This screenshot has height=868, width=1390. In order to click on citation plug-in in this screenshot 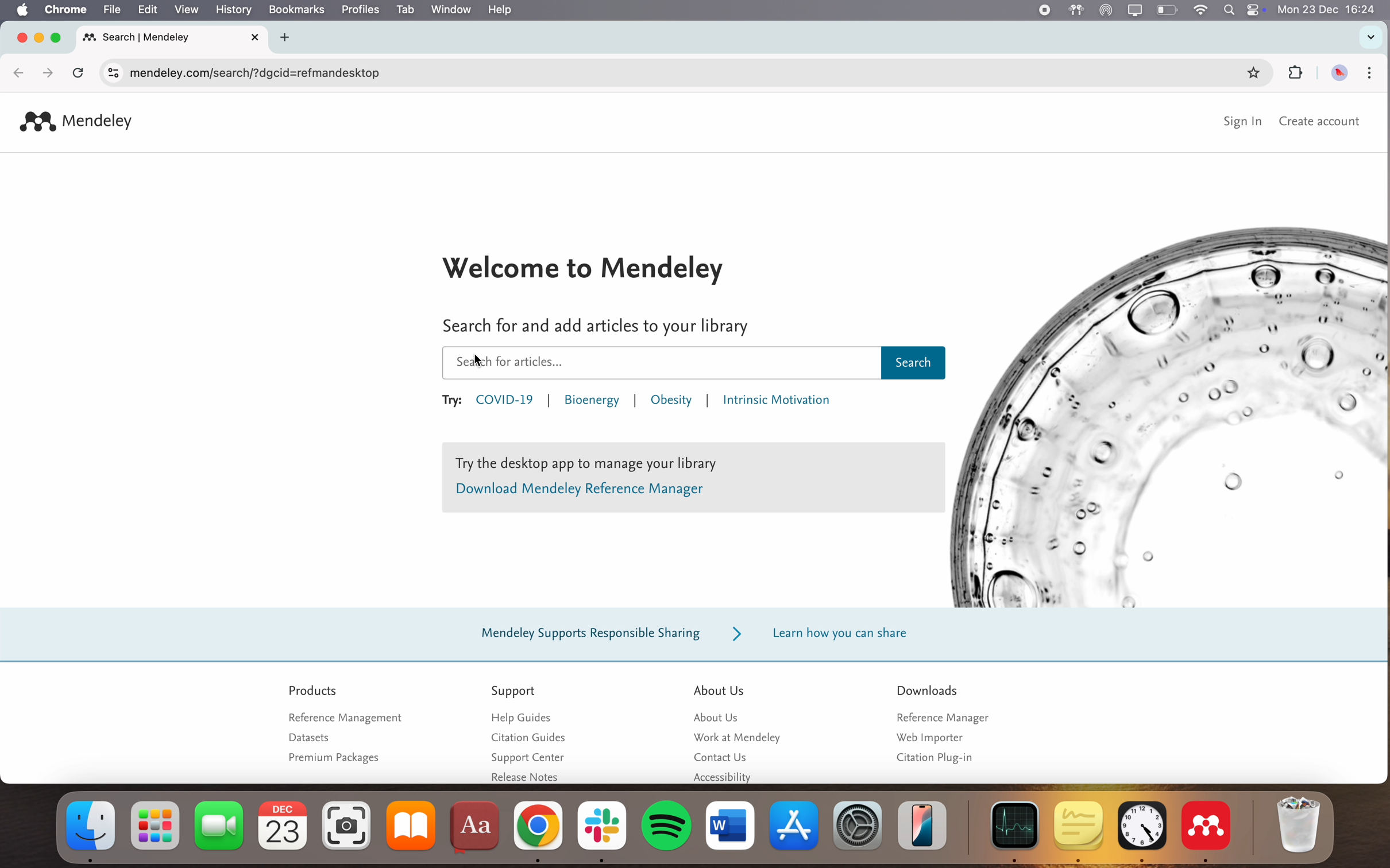, I will do `click(935, 758)`.